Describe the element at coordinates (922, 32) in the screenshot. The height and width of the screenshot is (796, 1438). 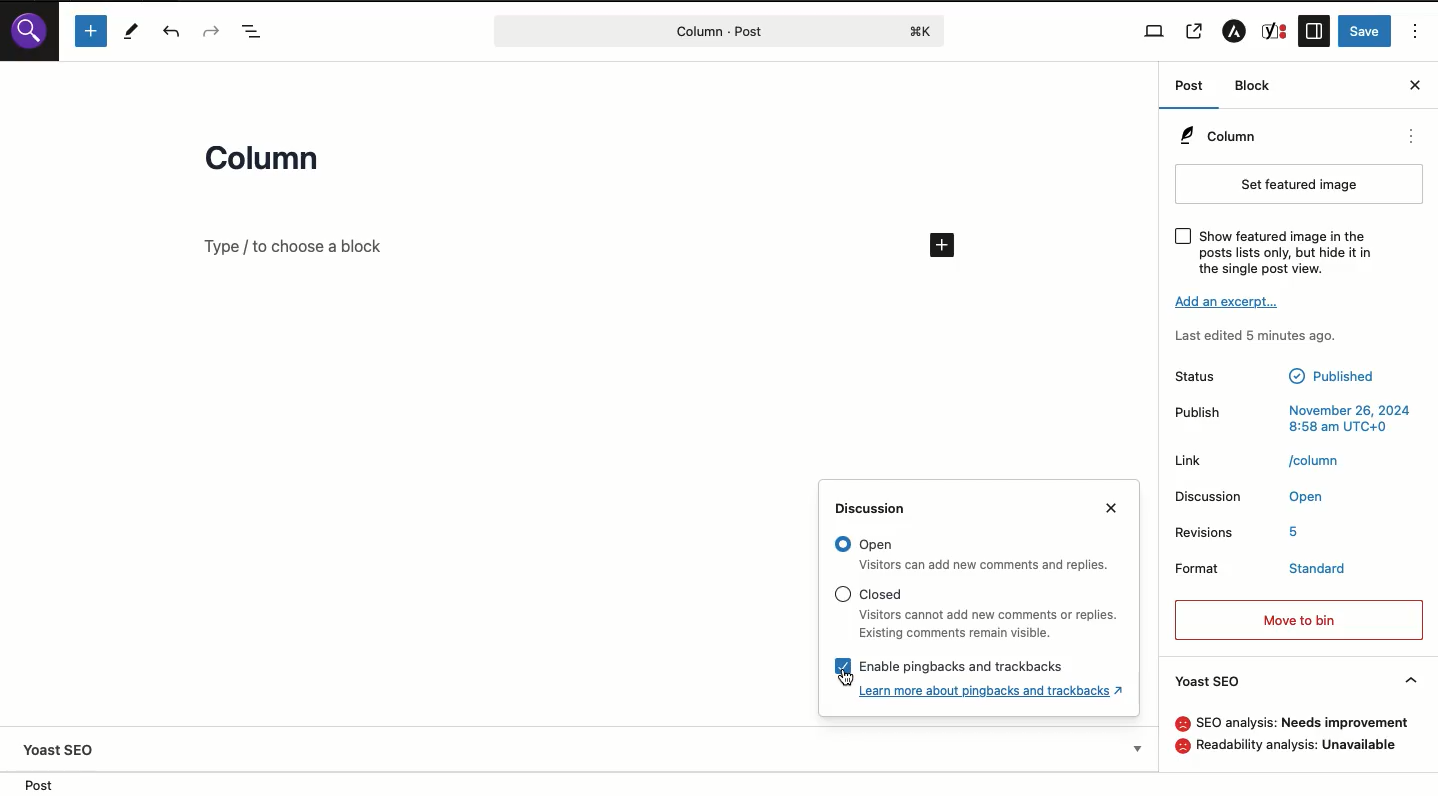
I see `command+K` at that location.